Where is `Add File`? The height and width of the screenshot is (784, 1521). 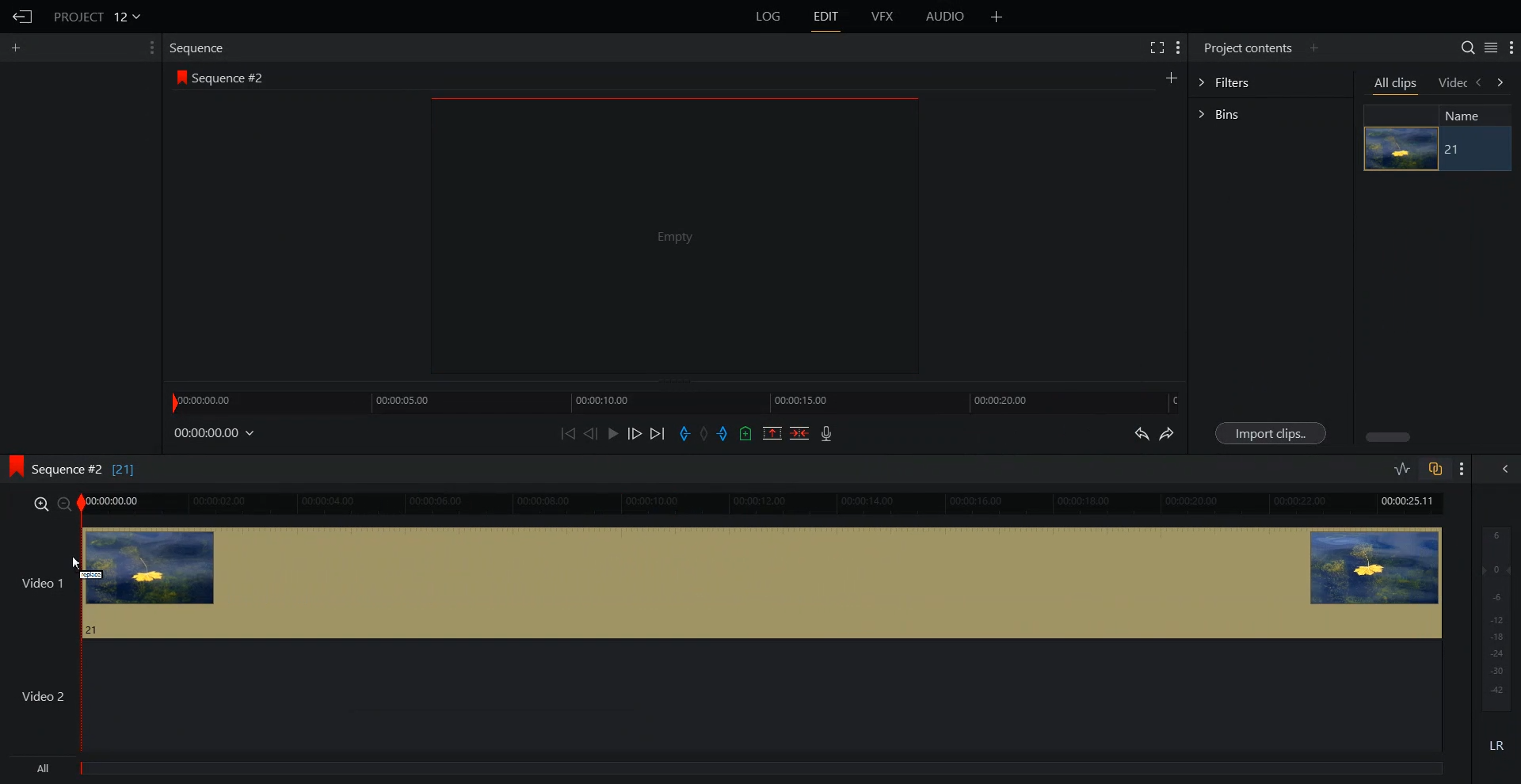
Add File is located at coordinates (997, 17).